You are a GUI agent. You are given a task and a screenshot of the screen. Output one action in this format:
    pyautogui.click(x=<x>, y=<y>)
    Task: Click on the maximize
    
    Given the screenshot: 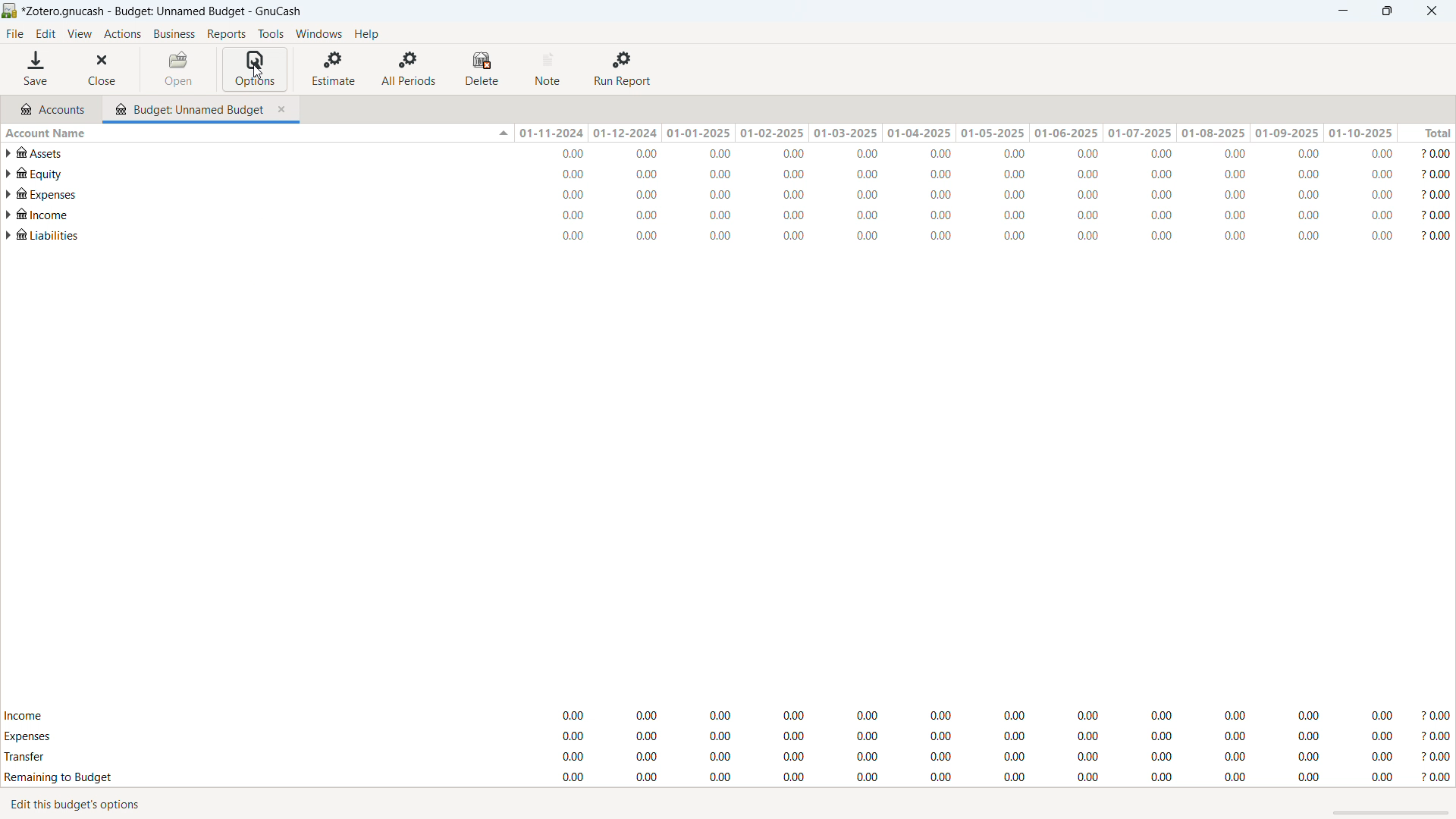 What is the action you would take?
    pyautogui.click(x=1386, y=11)
    